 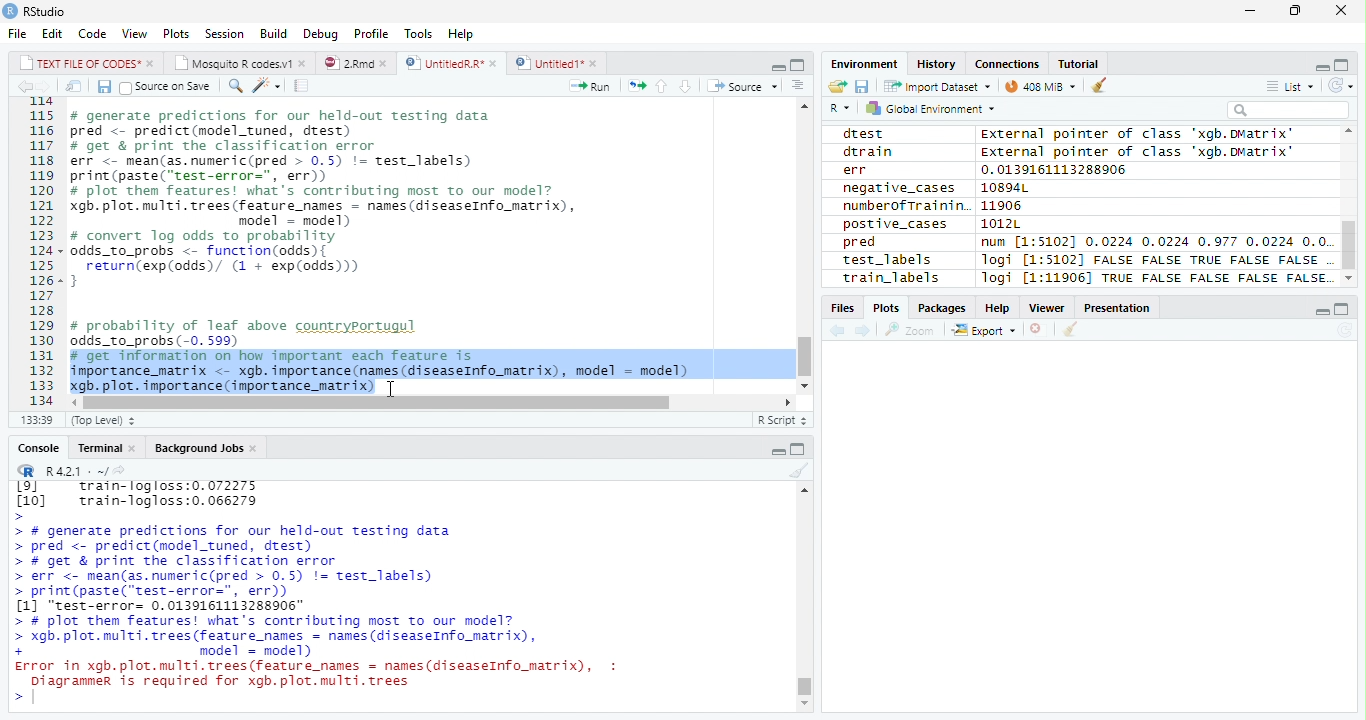 What do you see at coordinates (859, 63) in the screenshot?
I see `Environment` at bounding box center [859, 63].